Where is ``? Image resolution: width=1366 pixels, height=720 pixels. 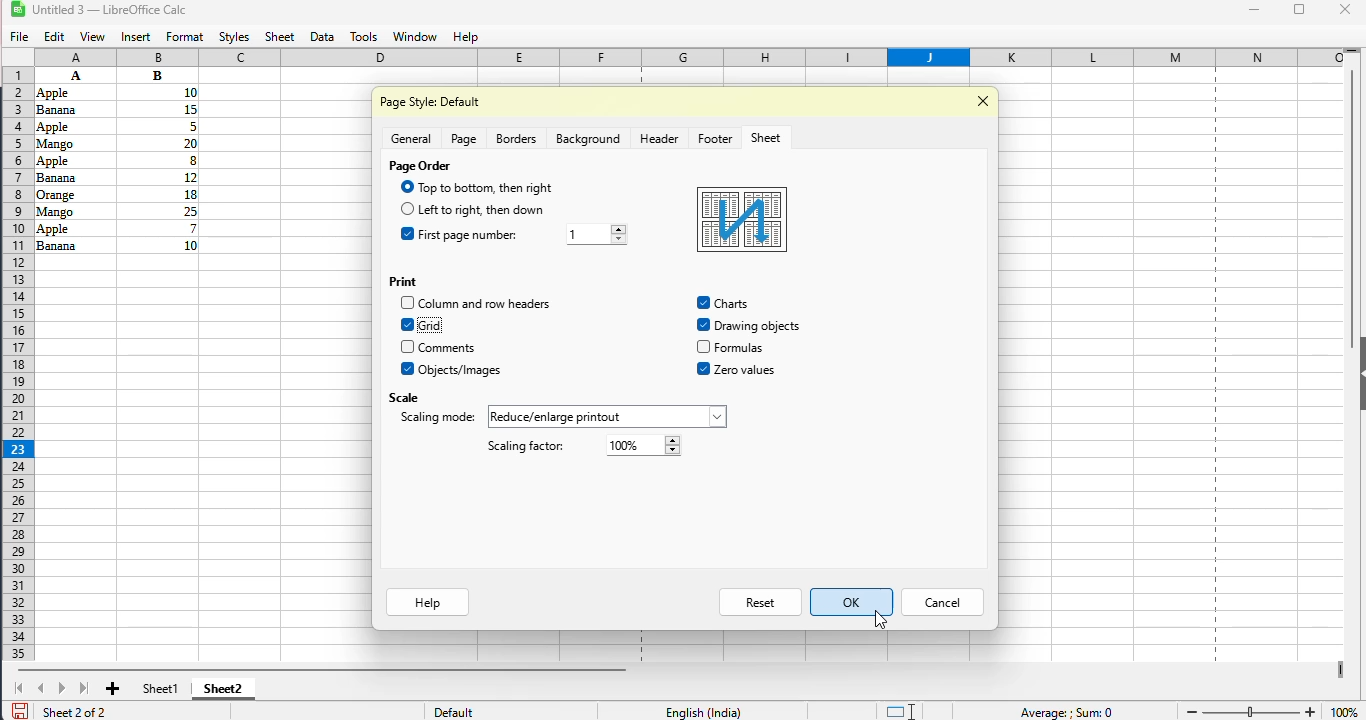
 is located at coordinates (158, 92).